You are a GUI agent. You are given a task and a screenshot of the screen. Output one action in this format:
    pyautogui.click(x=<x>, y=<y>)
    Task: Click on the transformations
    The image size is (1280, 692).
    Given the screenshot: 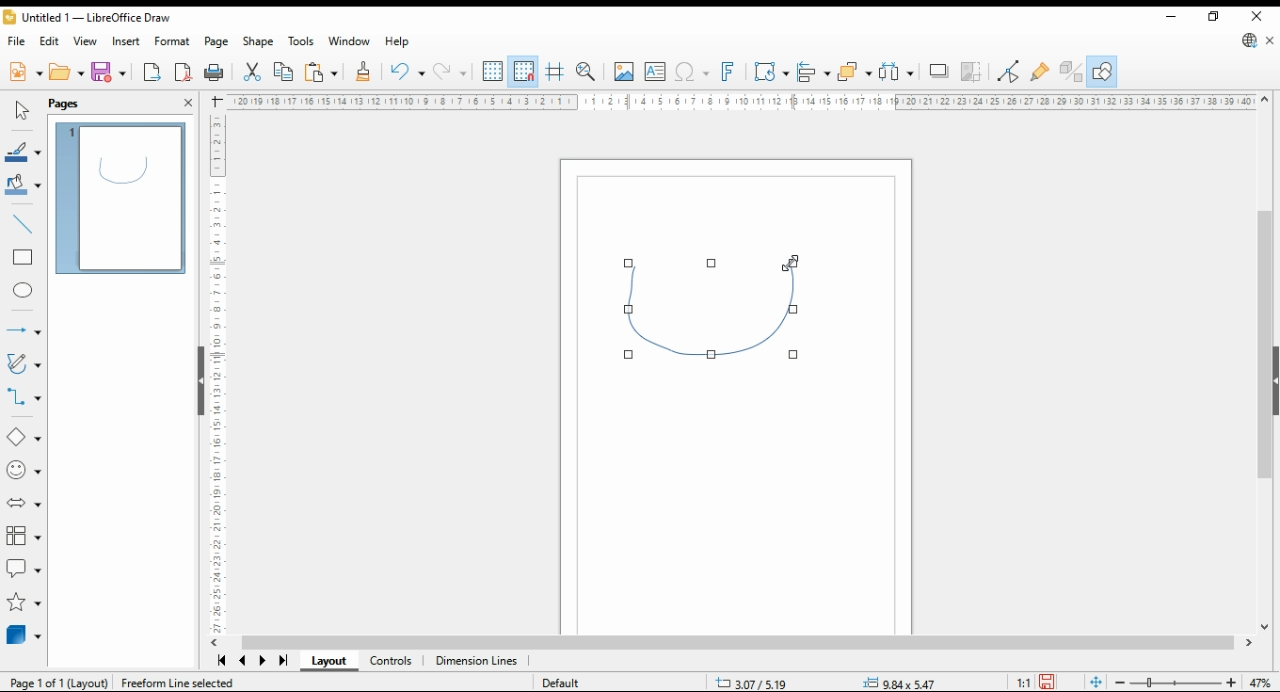 What is the action you would take?
    pyautogui.click(x=771, y=74)
    